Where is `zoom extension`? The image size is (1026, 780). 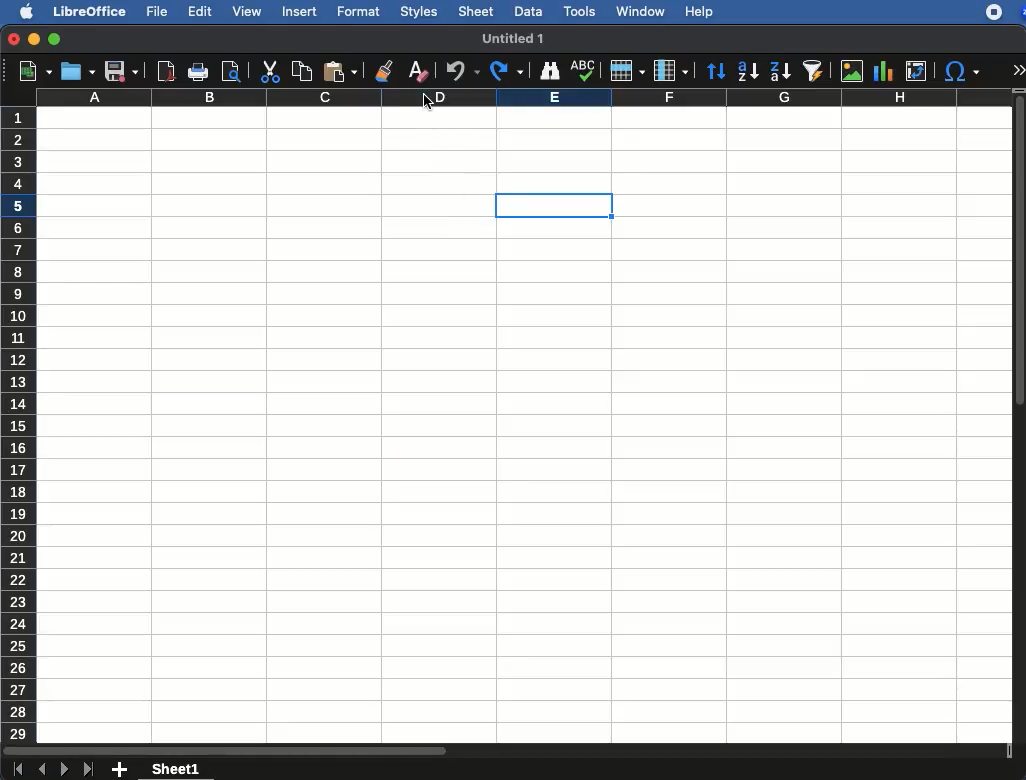
zoom extension is located at coordinates (1020, 12).